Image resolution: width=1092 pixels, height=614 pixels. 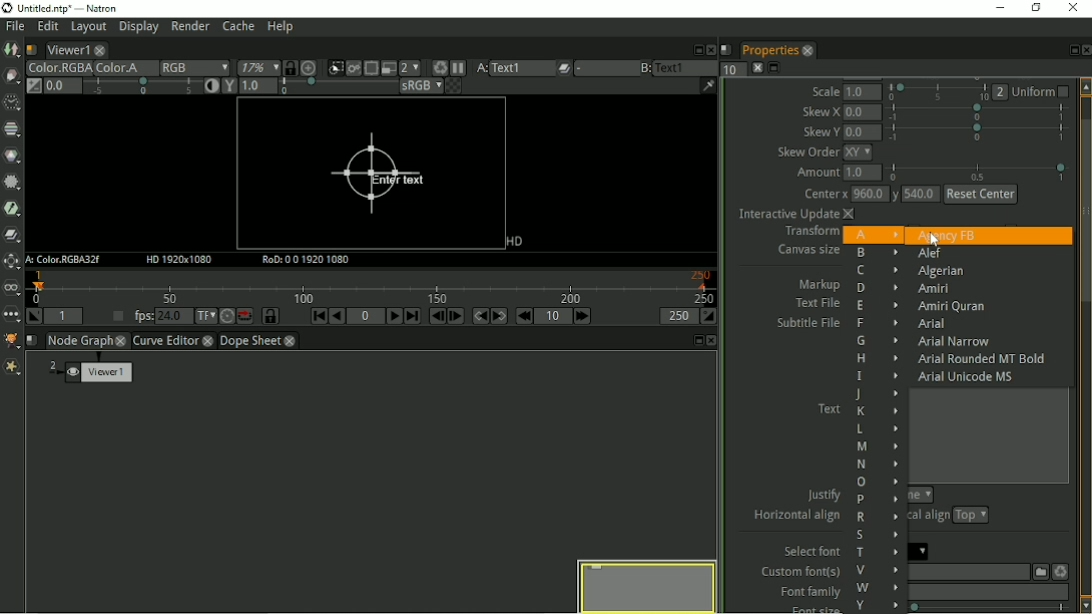 What do you see at coordinates (979, 171) in the screenshot?
I see `selection bar` at bounding box center [979, 171].